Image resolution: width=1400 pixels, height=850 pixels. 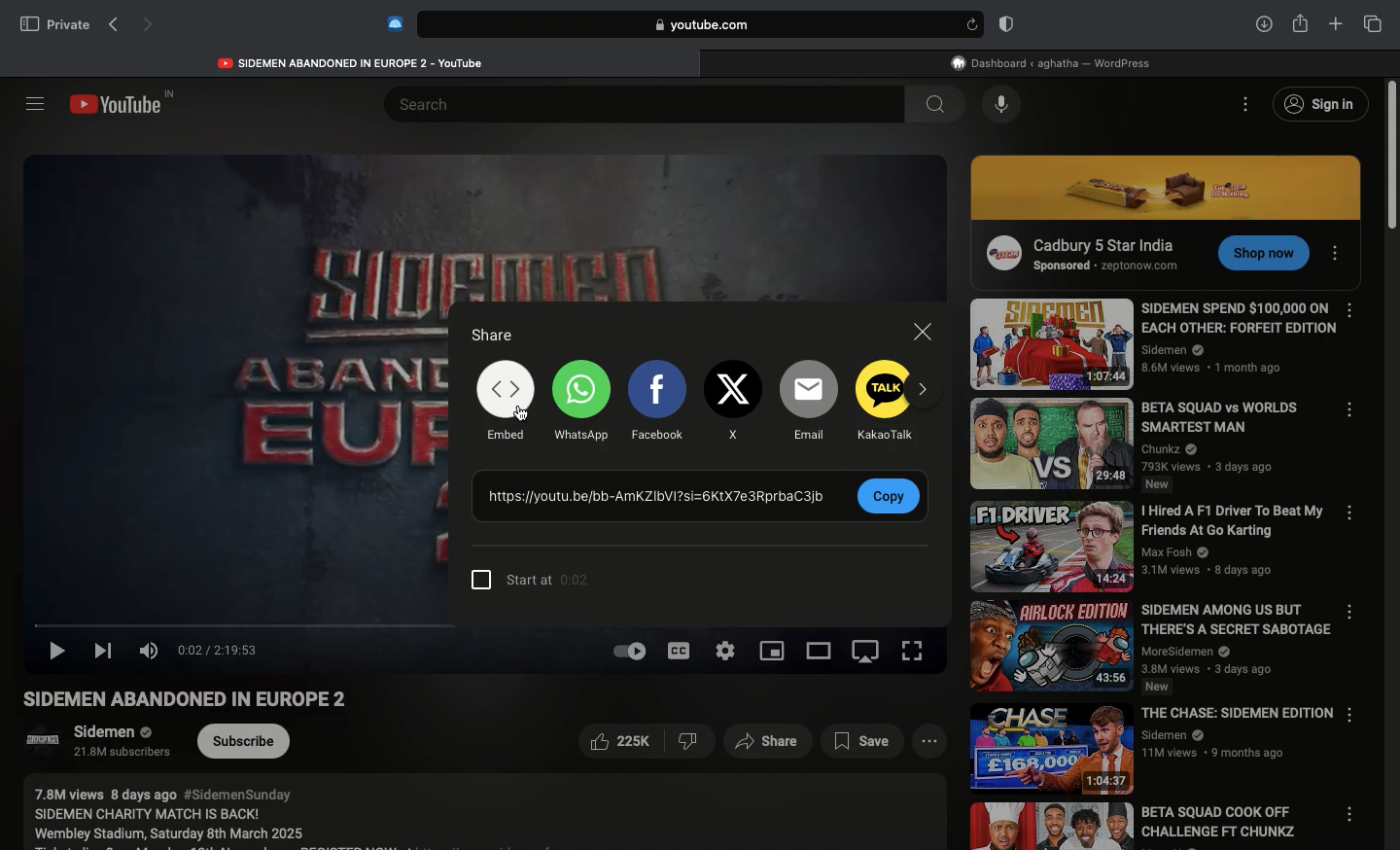 I want to click on Copy, so click(x=892, y=497).